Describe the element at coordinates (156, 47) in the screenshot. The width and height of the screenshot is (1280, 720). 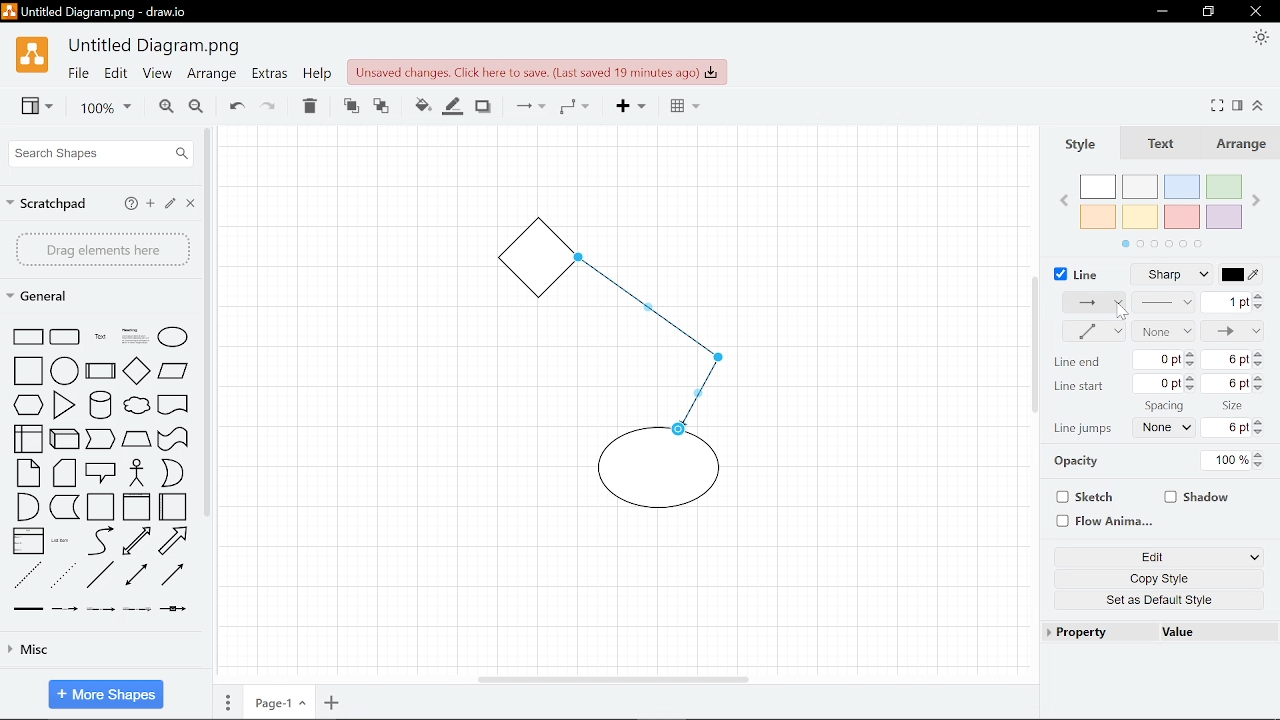
I see `Untitled Diagram.png` at that location.